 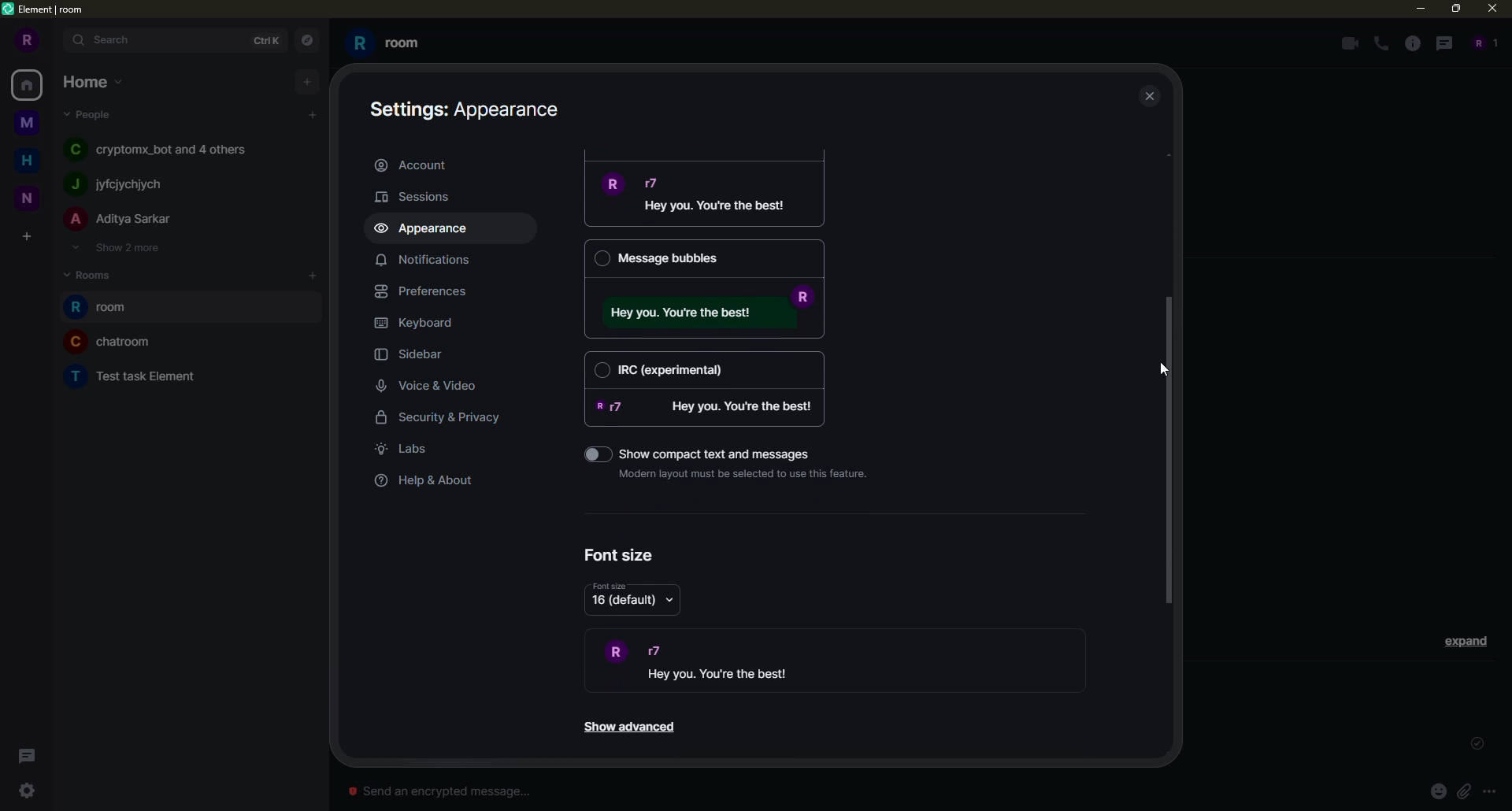 What do you see at coordinates (1490, 792) in the screenshot?
I see `more` at bounding box center [1490, 792].